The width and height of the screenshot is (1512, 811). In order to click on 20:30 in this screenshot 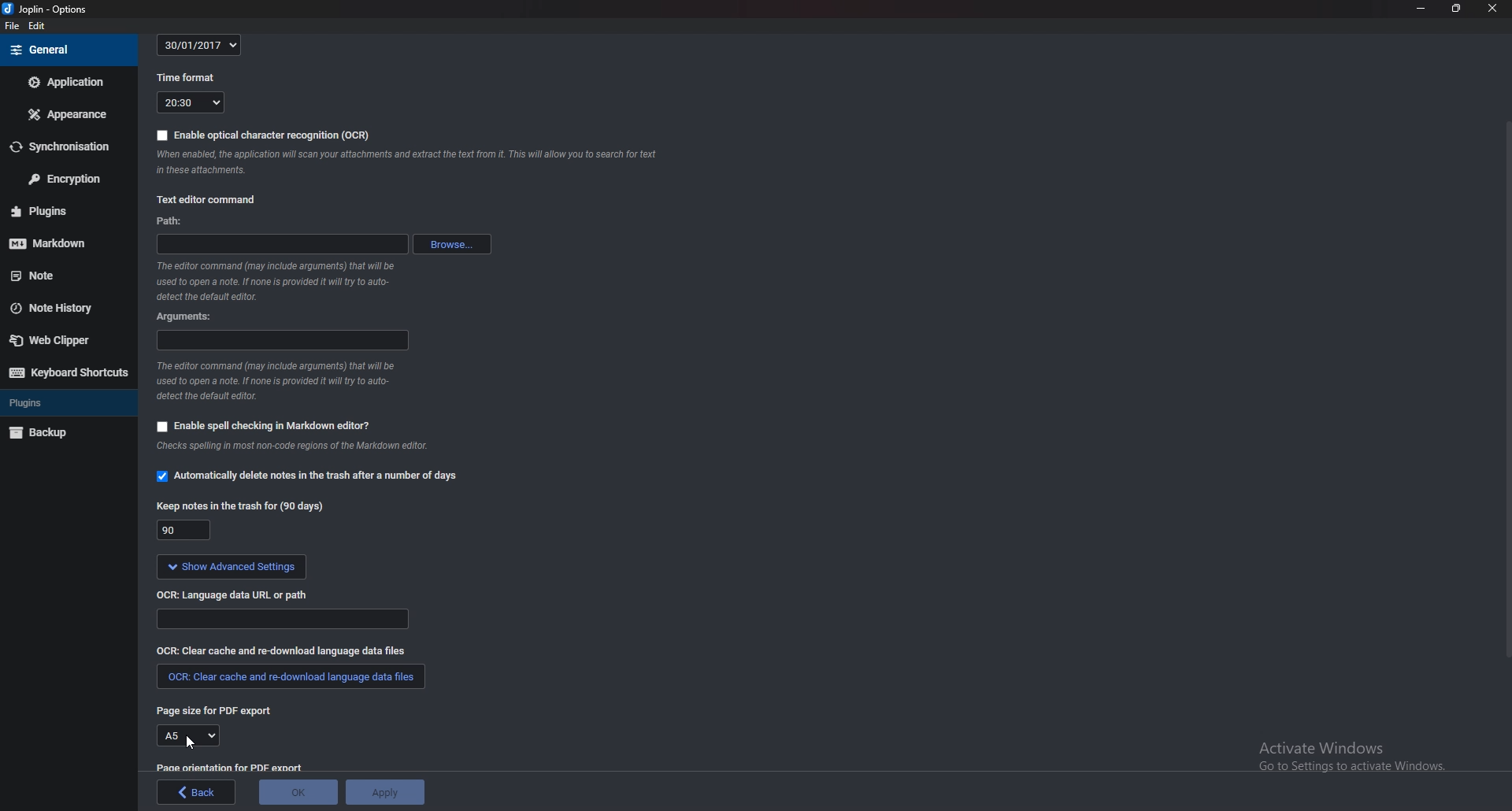, I will do `click(190, 104)`.